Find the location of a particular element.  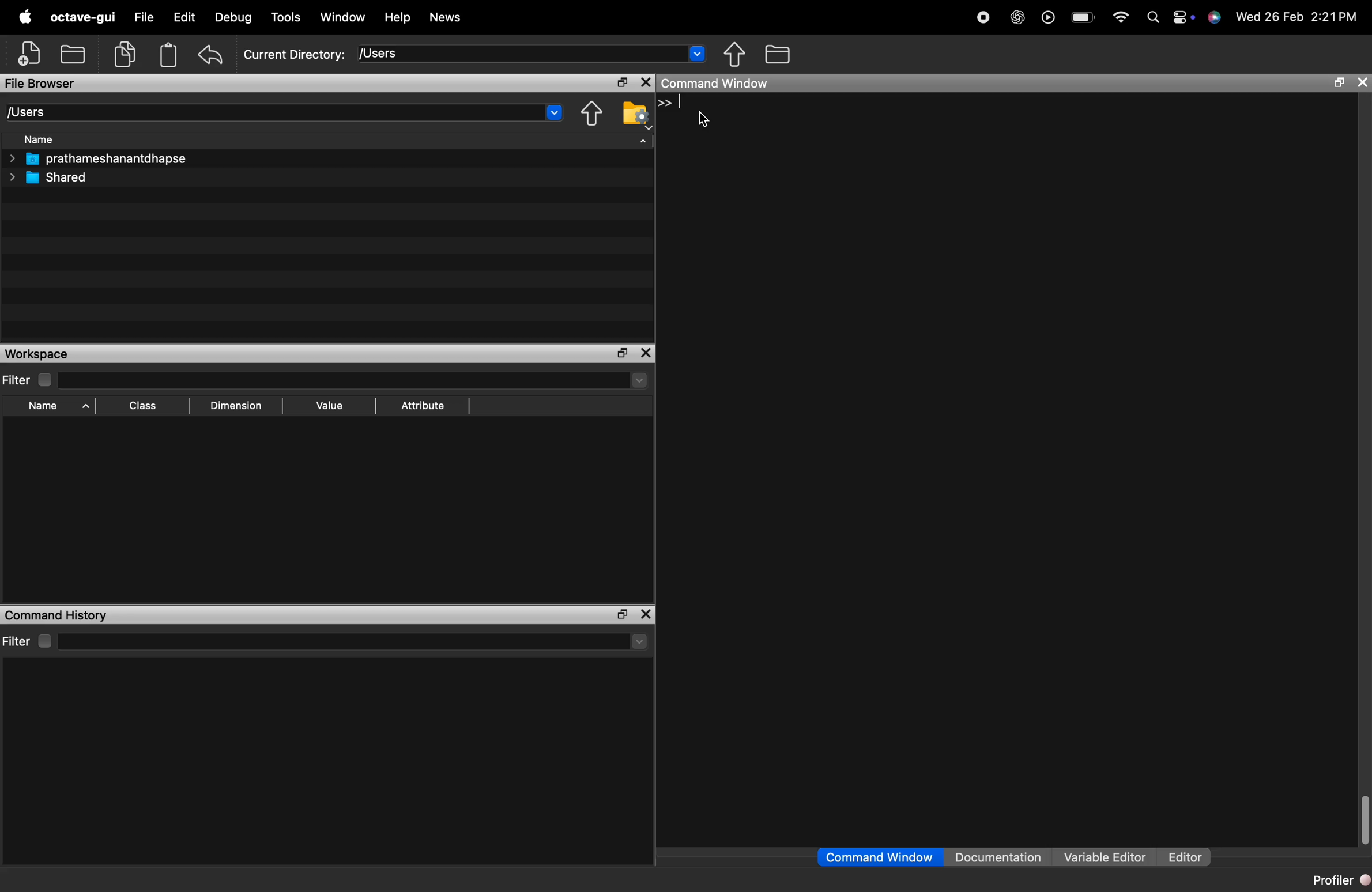

Command Window is located at coordinates (715, 82).